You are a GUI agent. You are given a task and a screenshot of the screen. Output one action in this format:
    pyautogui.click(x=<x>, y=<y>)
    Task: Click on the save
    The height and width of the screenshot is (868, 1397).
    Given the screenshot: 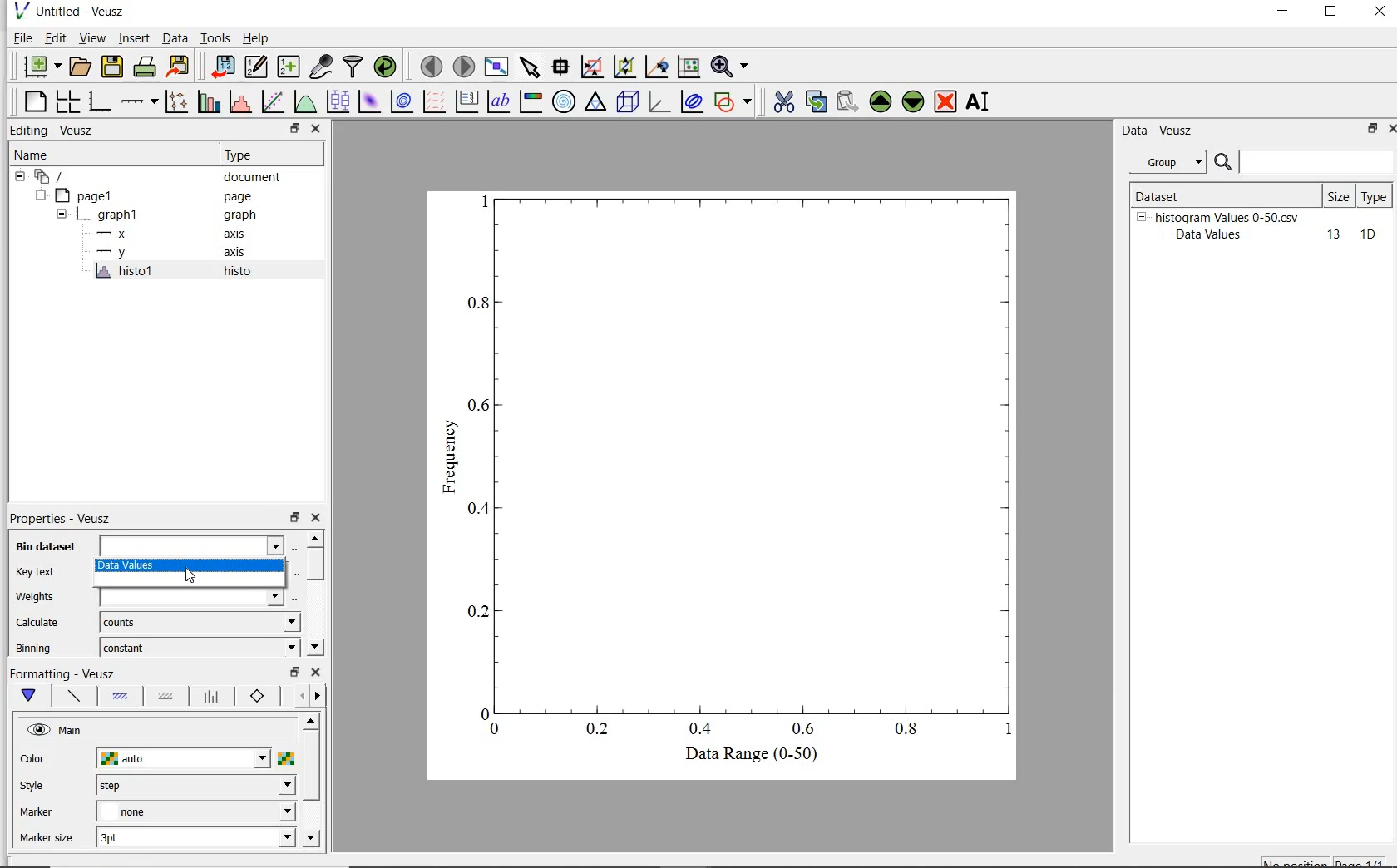 What is the action you would take?
    pyautogui.click(x=113, y=65)
    